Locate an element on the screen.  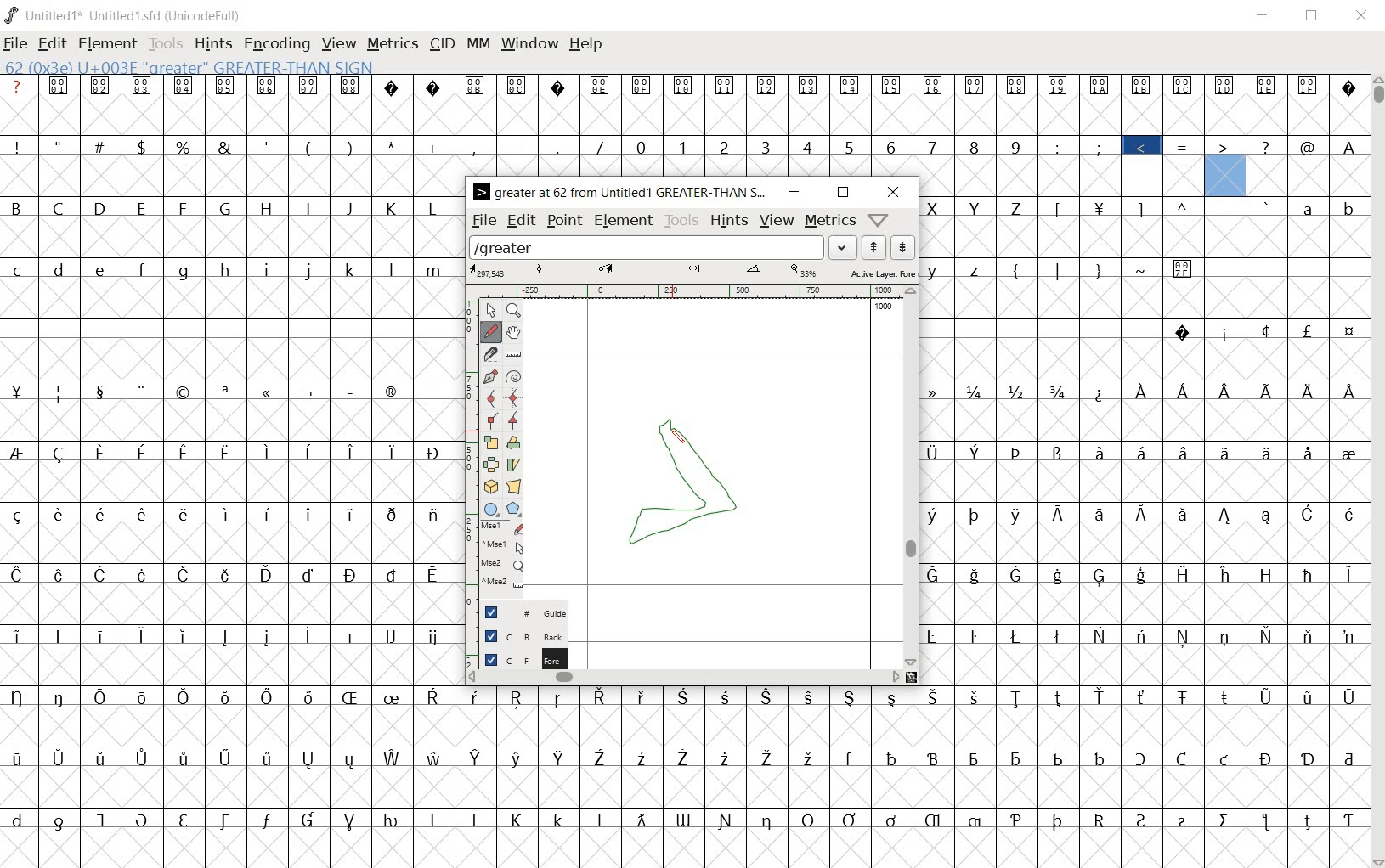
view is located at coordinates (777, 219).